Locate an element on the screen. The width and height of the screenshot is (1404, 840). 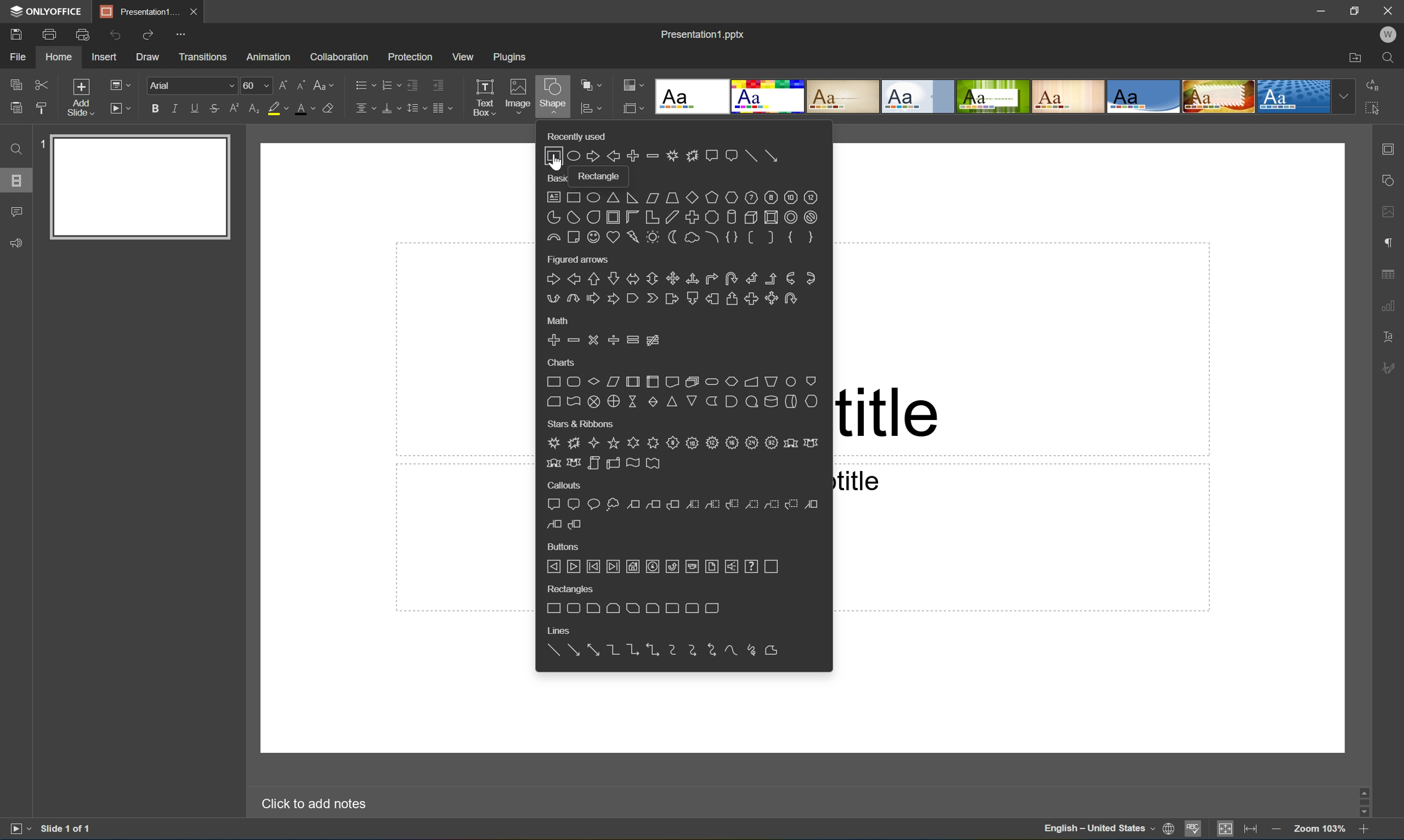
View is located at coordinates (461, 55).